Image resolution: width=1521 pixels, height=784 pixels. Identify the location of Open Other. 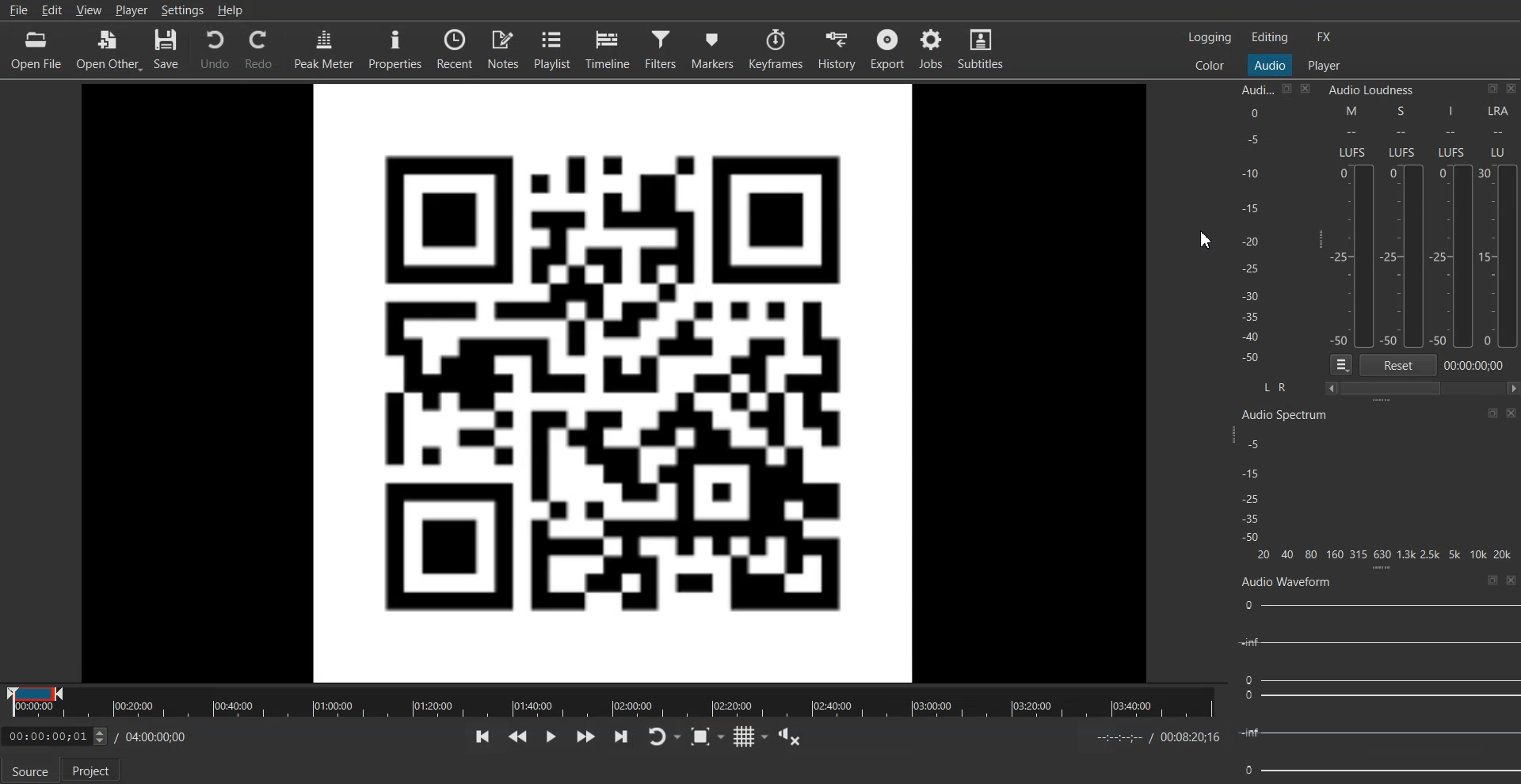
(110, 49).